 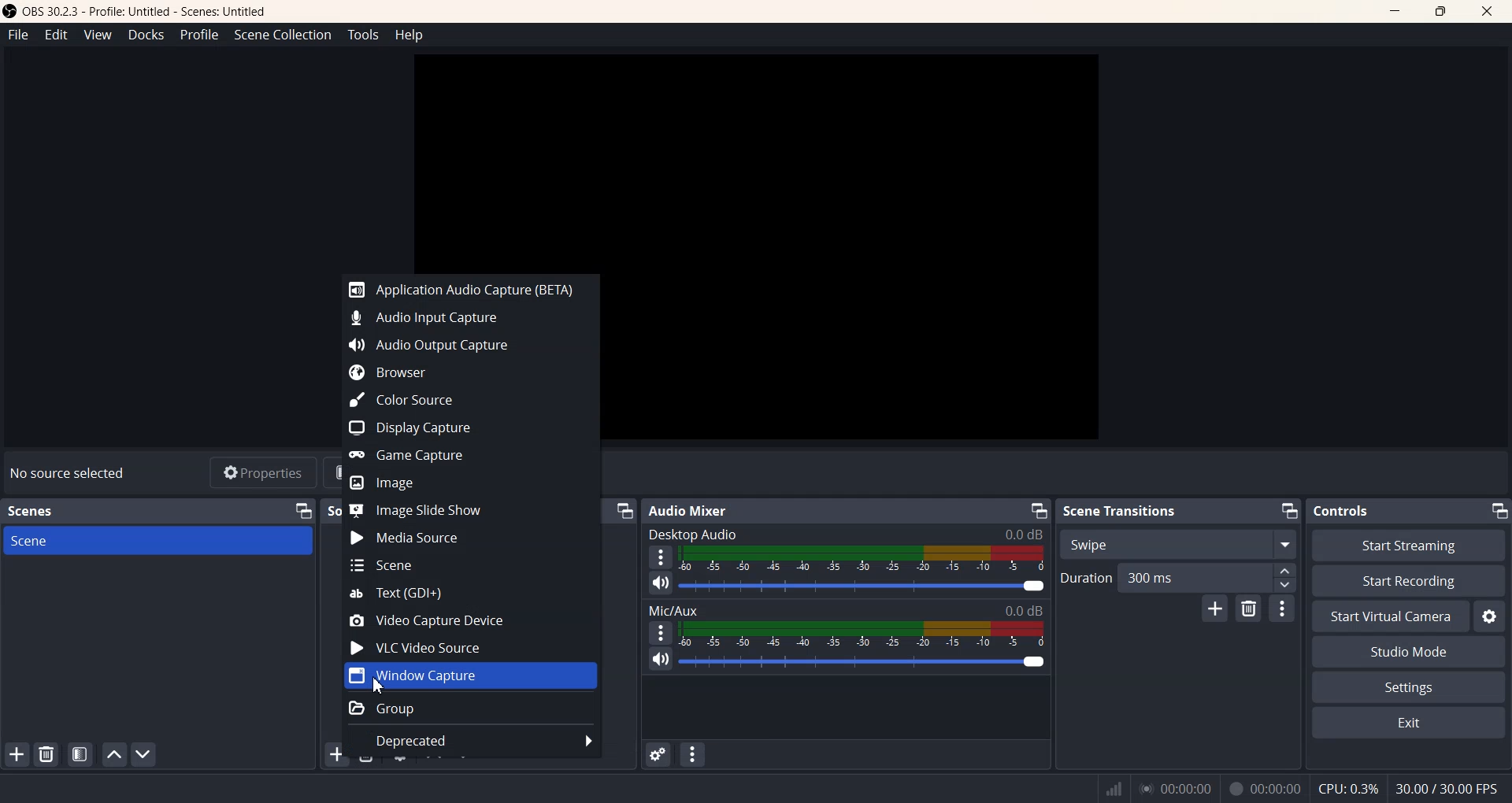 I want to click on Minimize, so click(x=1039, y=511).